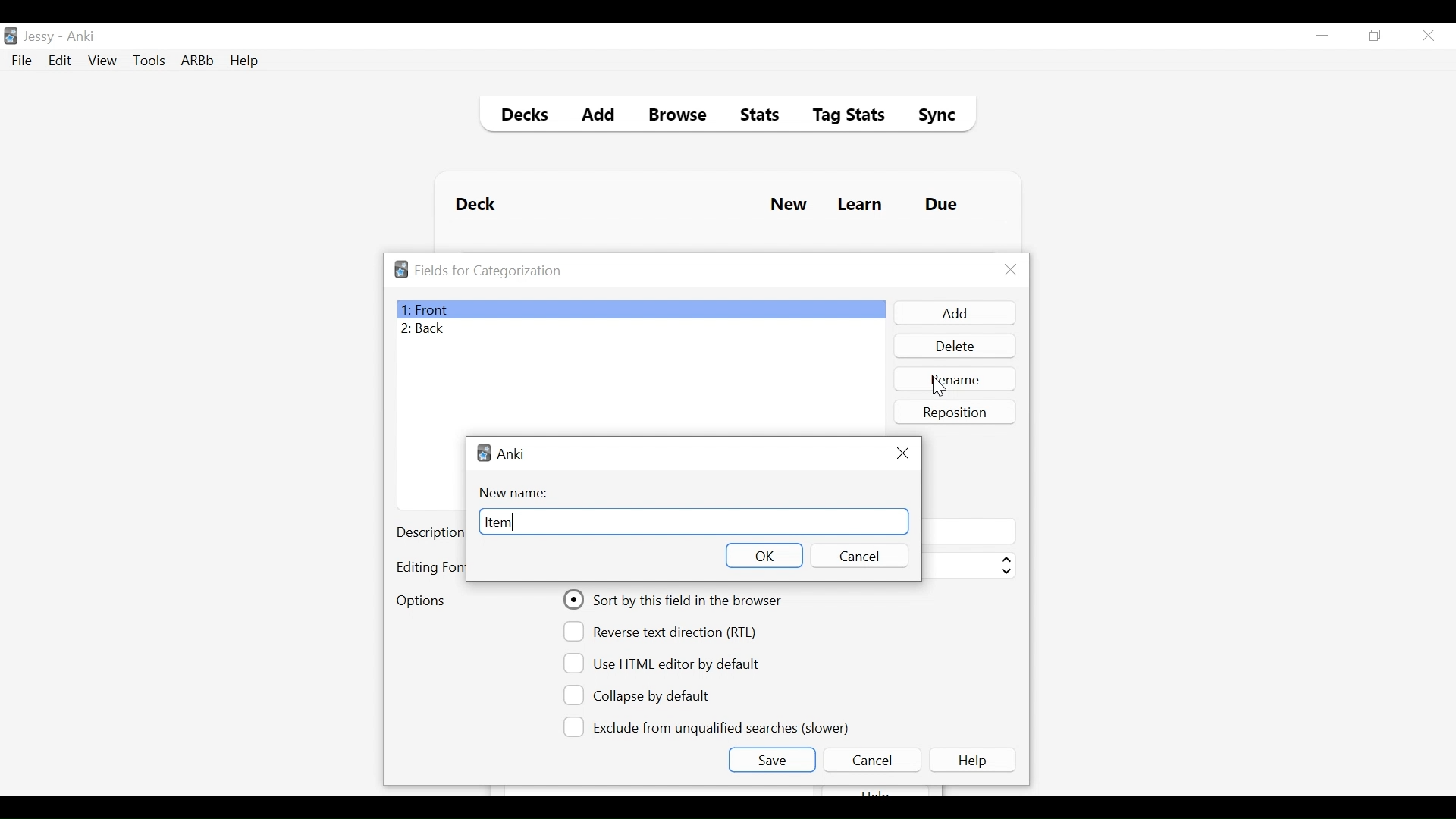 This screenshot has height=819, width=1456. I want to click on Description, so click(430, 534).